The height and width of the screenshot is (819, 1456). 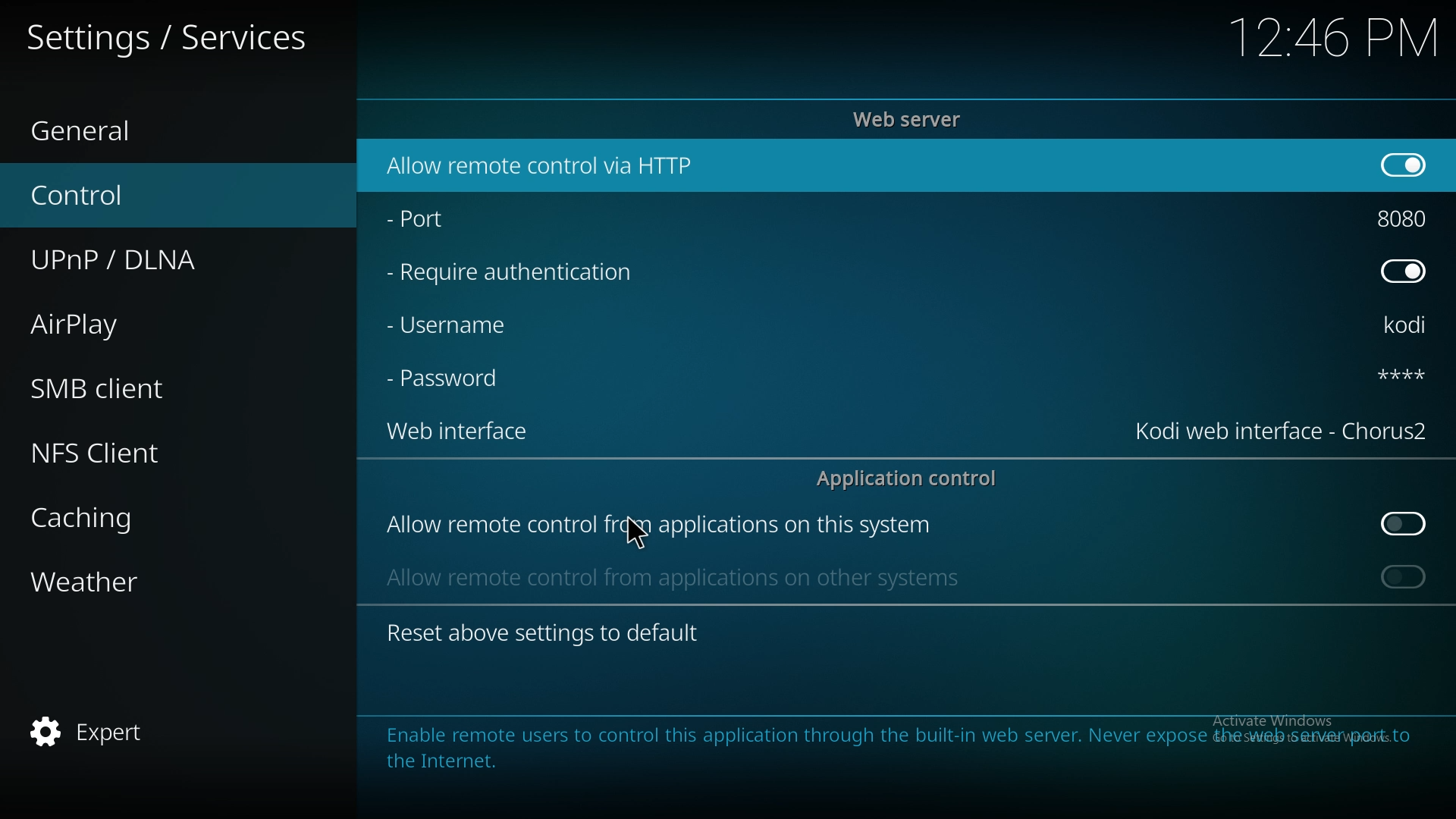 I want to click on allow remote control, so click(x=658, y=526).